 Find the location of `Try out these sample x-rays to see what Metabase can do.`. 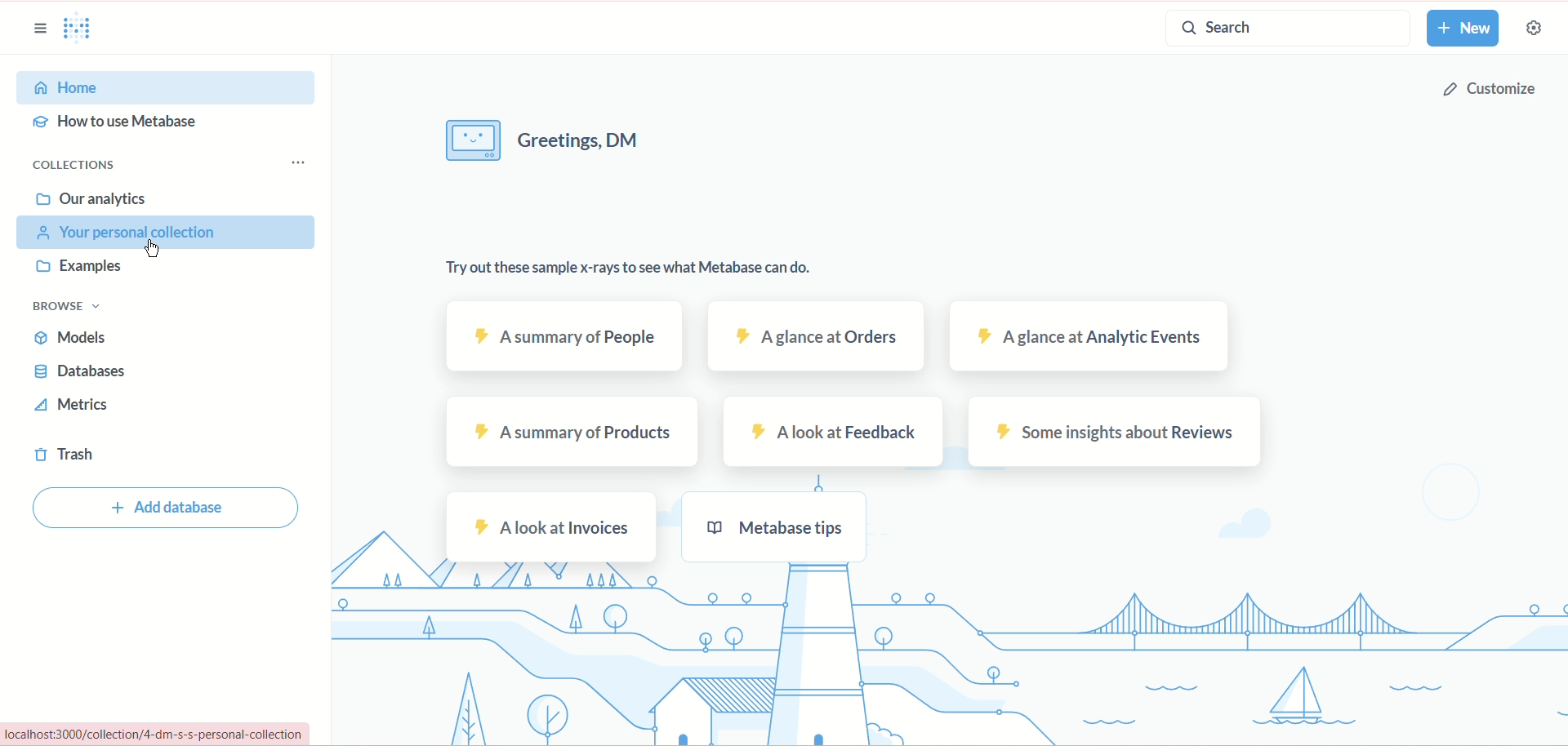

Try out these sample x-rays to see what Metabase can do. is located at coordinates (629, 269).